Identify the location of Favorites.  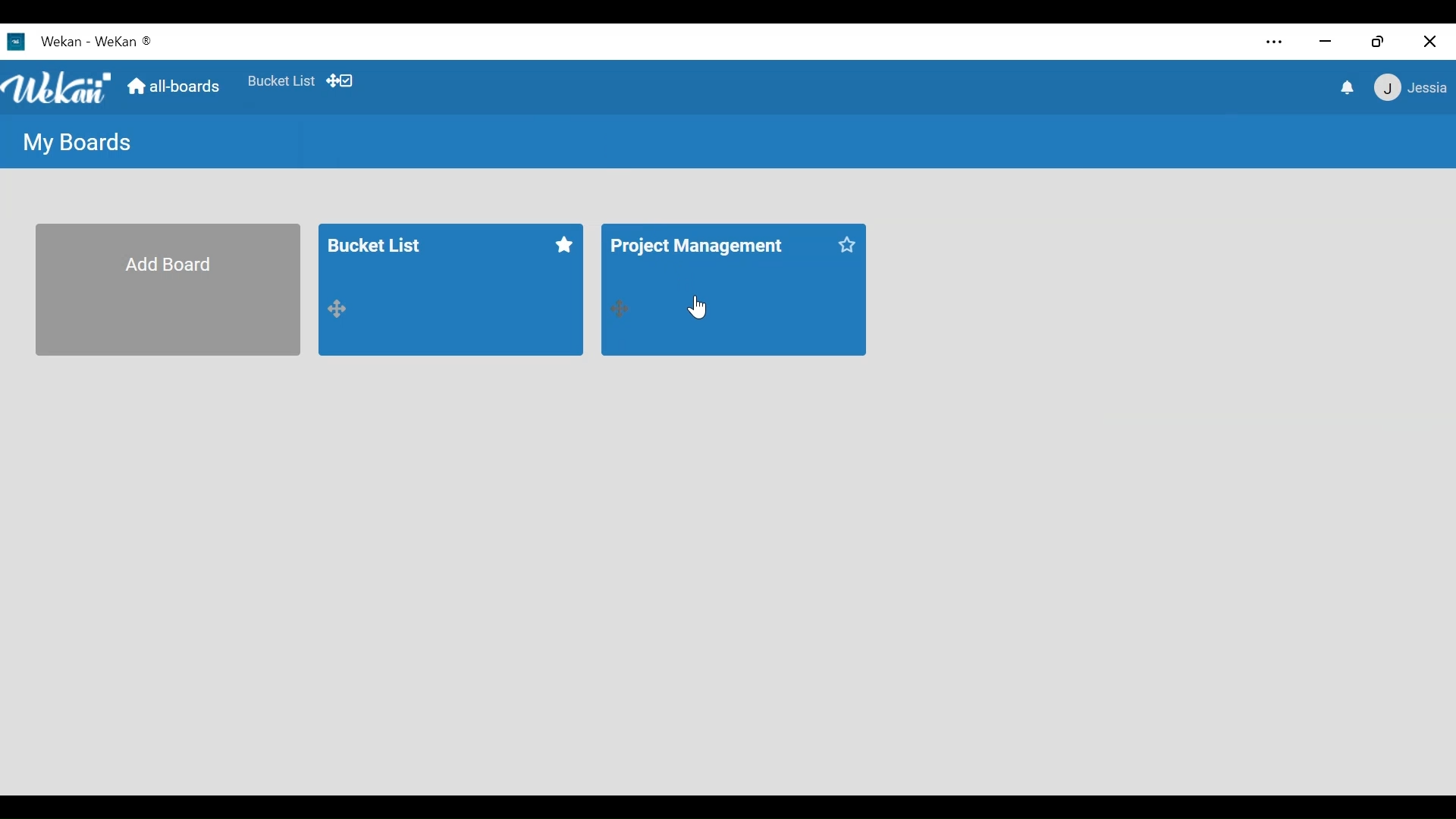
(280, 80).